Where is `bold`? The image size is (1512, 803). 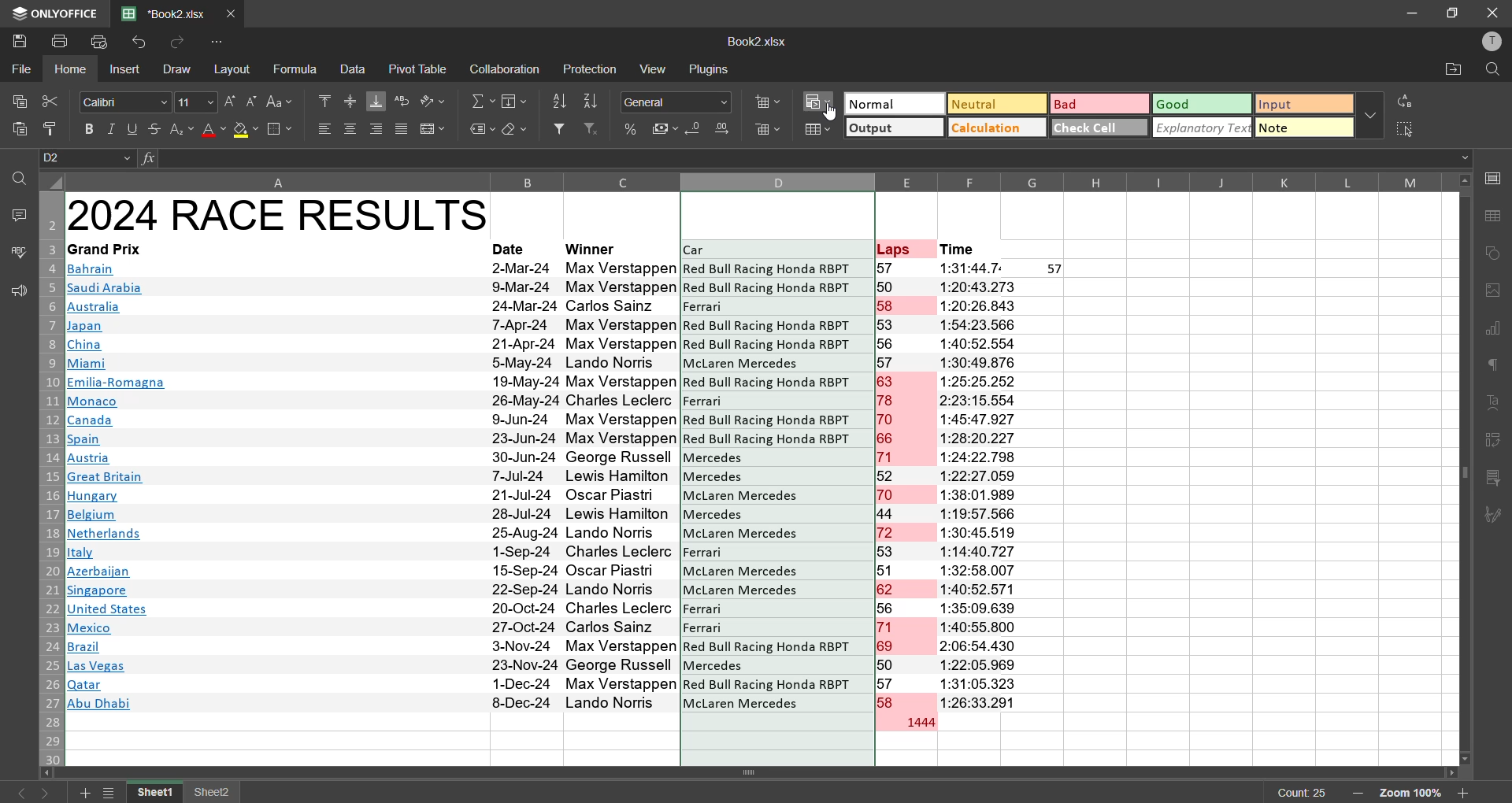 bold is located at coordinates (91, 129).